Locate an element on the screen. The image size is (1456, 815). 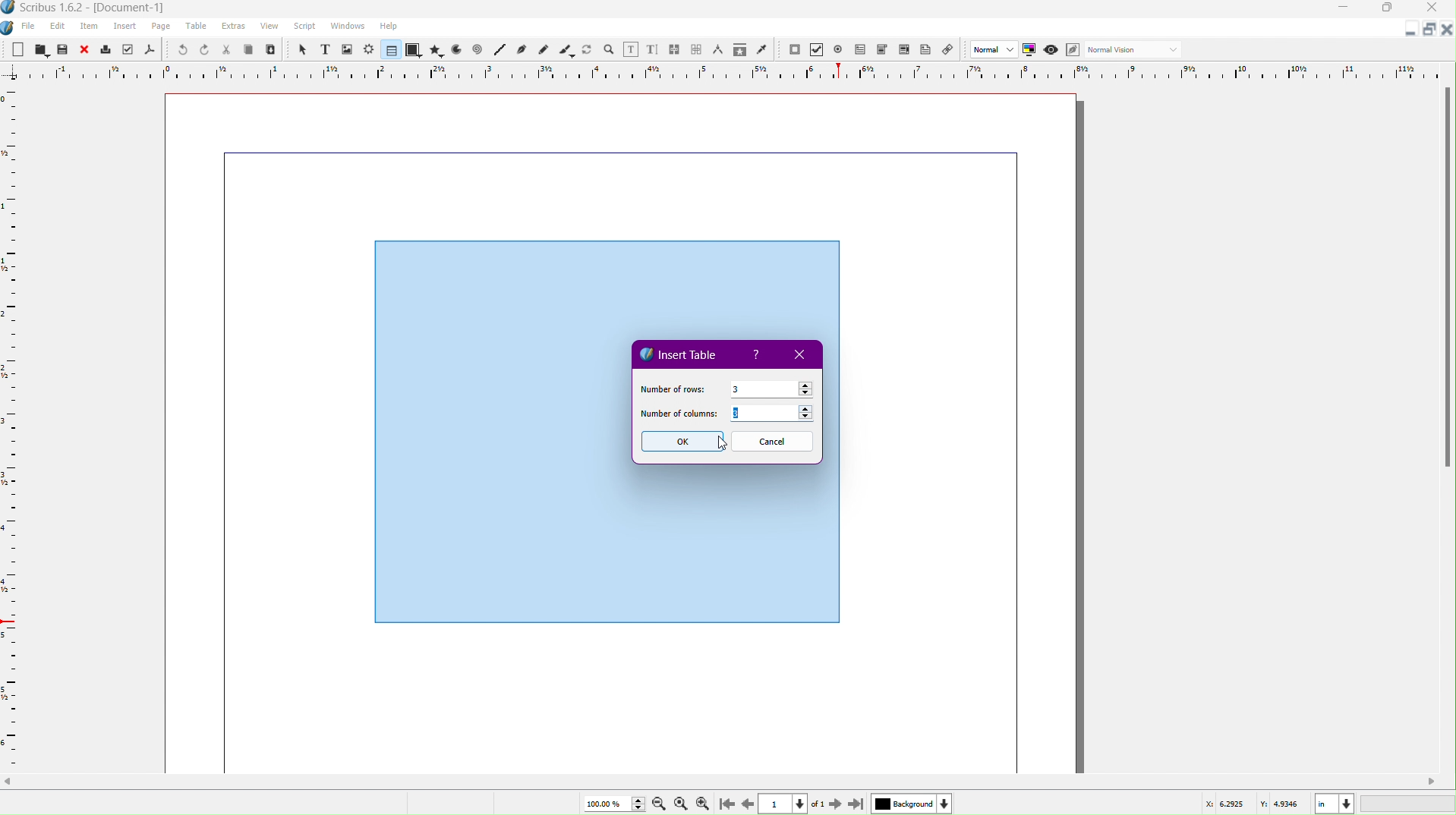
Help is located at coordinates (389, 26).